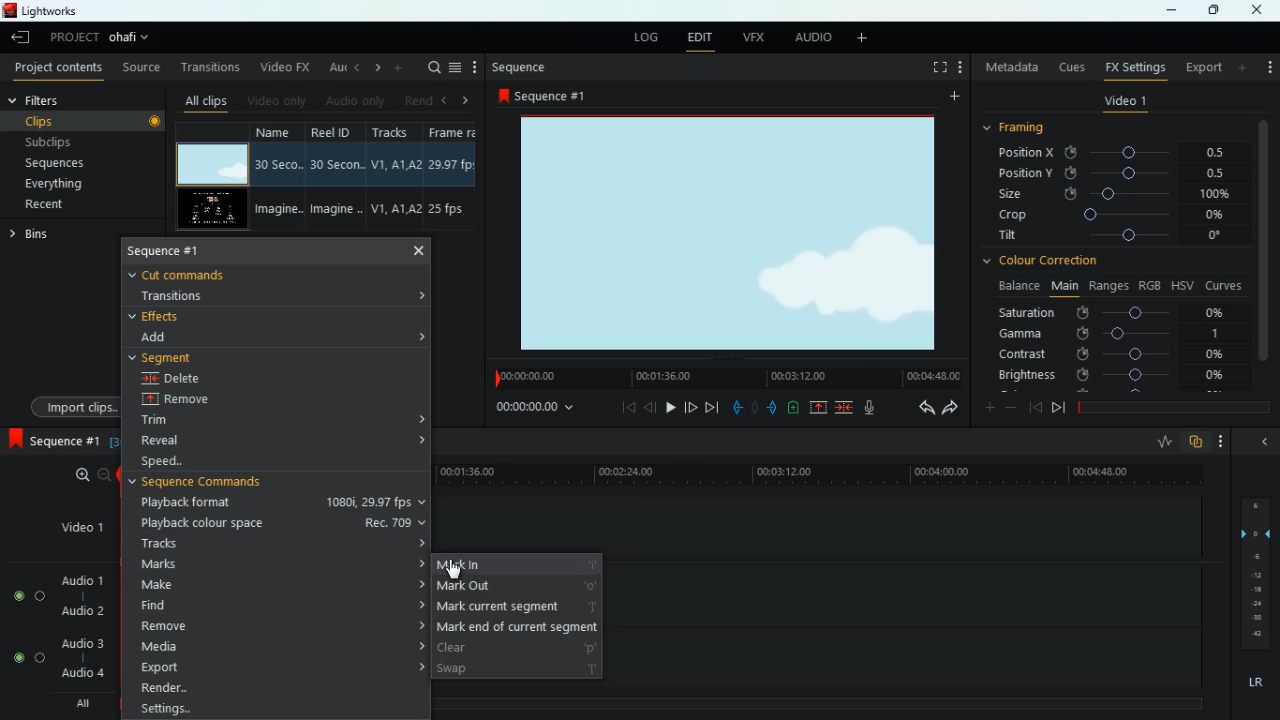 Image resolution: width=1280 pixels, height=720 pixels. What do you see at coordinates (809, 473) in the screenshot?
I see `timeline` at bounding box center [809, 473].